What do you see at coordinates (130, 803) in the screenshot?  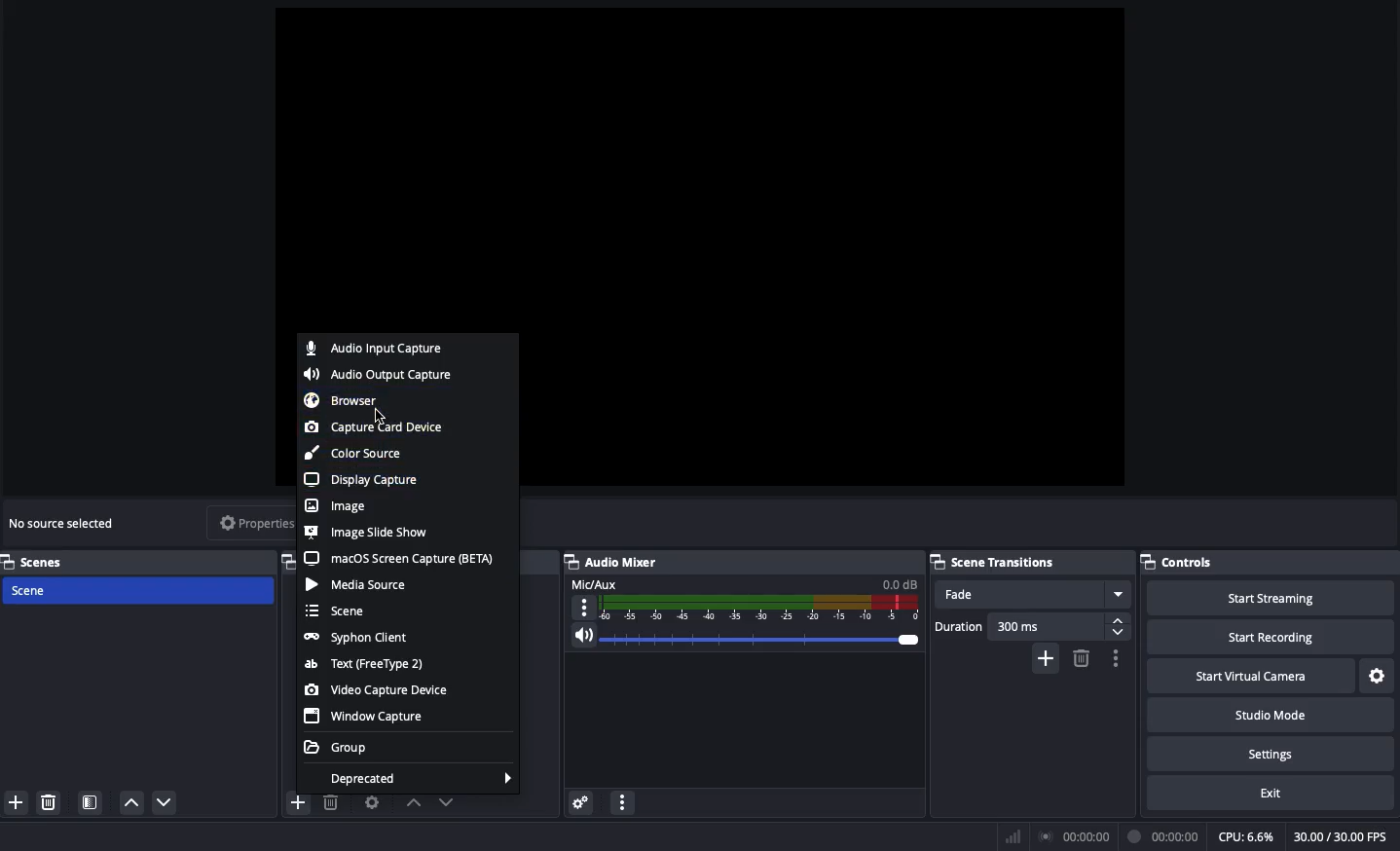 I see `move up` at bounding box center [130, 803].